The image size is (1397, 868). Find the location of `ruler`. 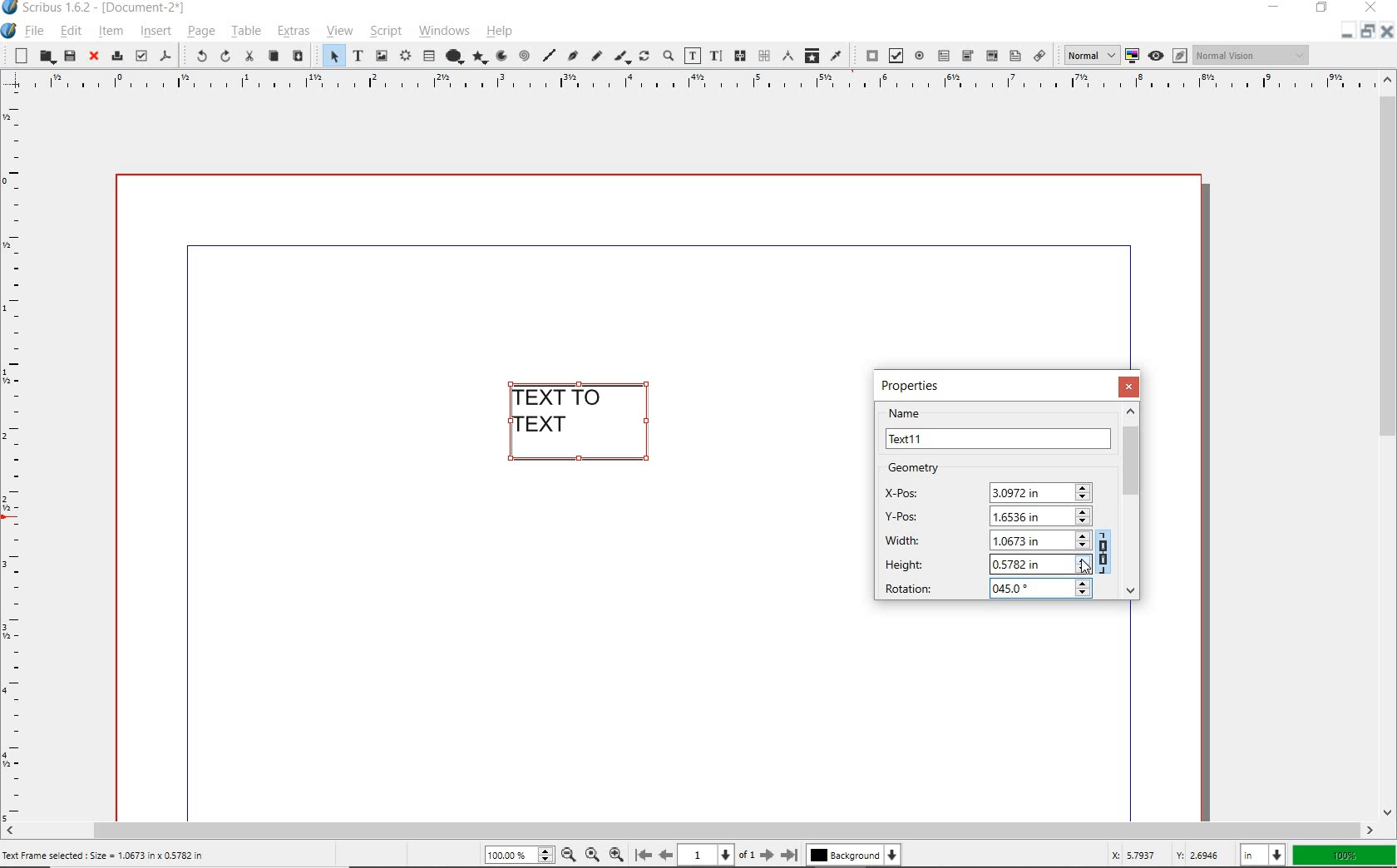

ruler is located at coordinates (694, 86).